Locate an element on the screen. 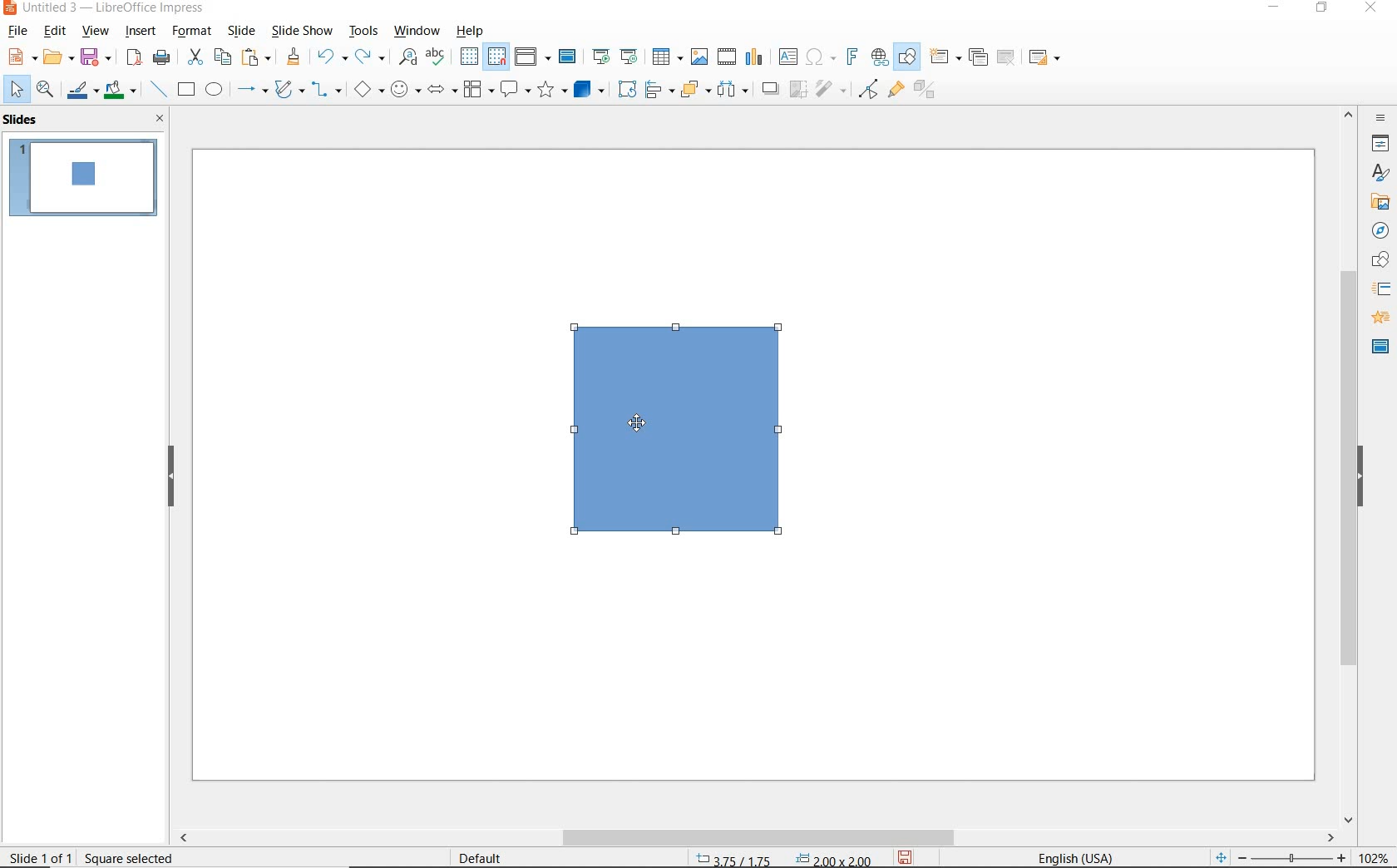 Image resolution: width=1397 pixels, height=868 pixels. connectors is located at coordinates (326, 91).